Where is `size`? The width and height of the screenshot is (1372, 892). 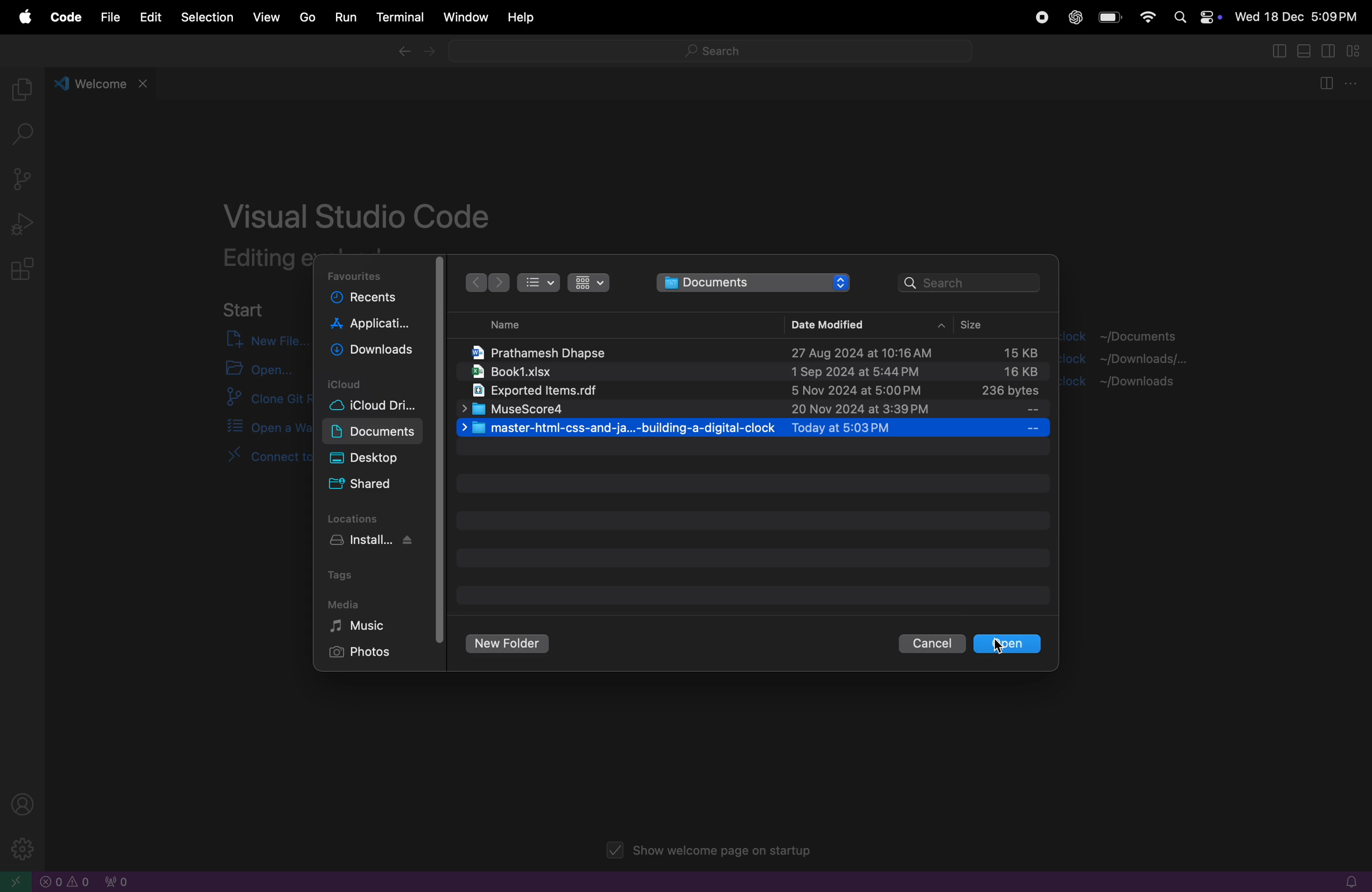
size is located at coordinates (988, 326).